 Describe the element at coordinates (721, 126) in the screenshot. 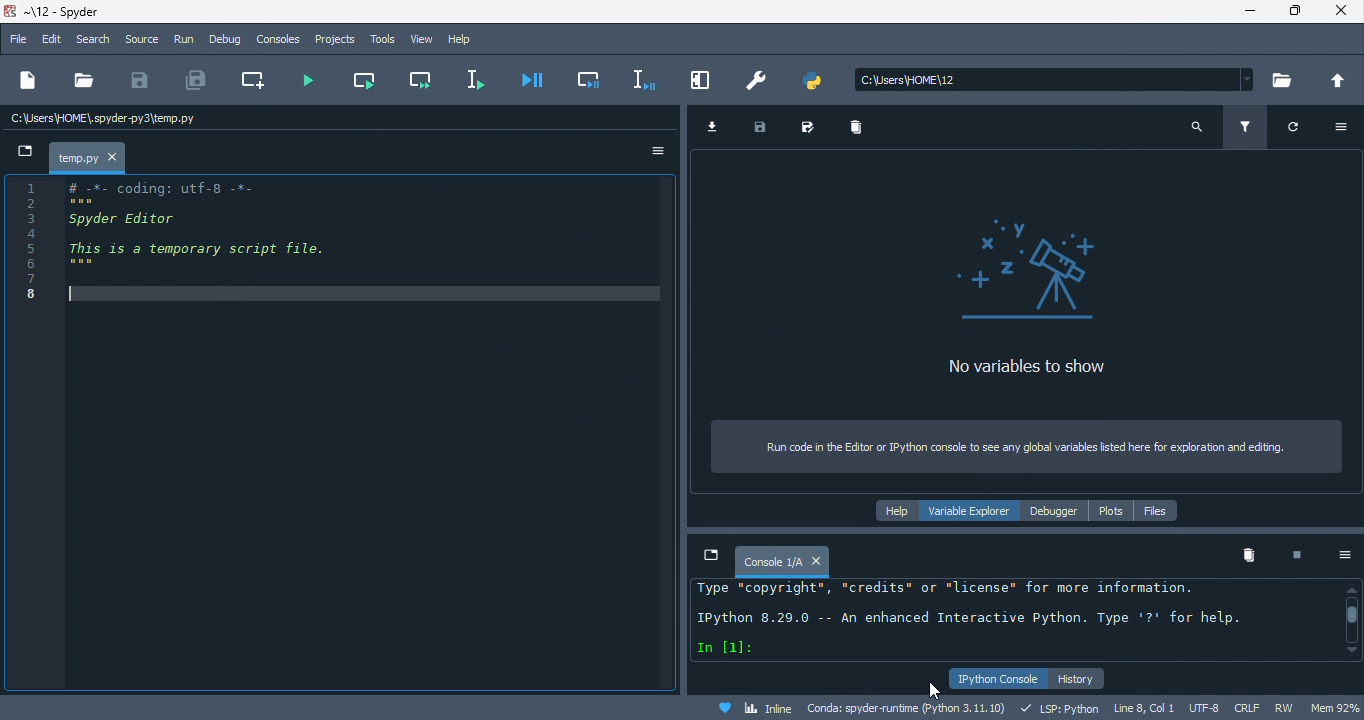

I see `import data` at that location.